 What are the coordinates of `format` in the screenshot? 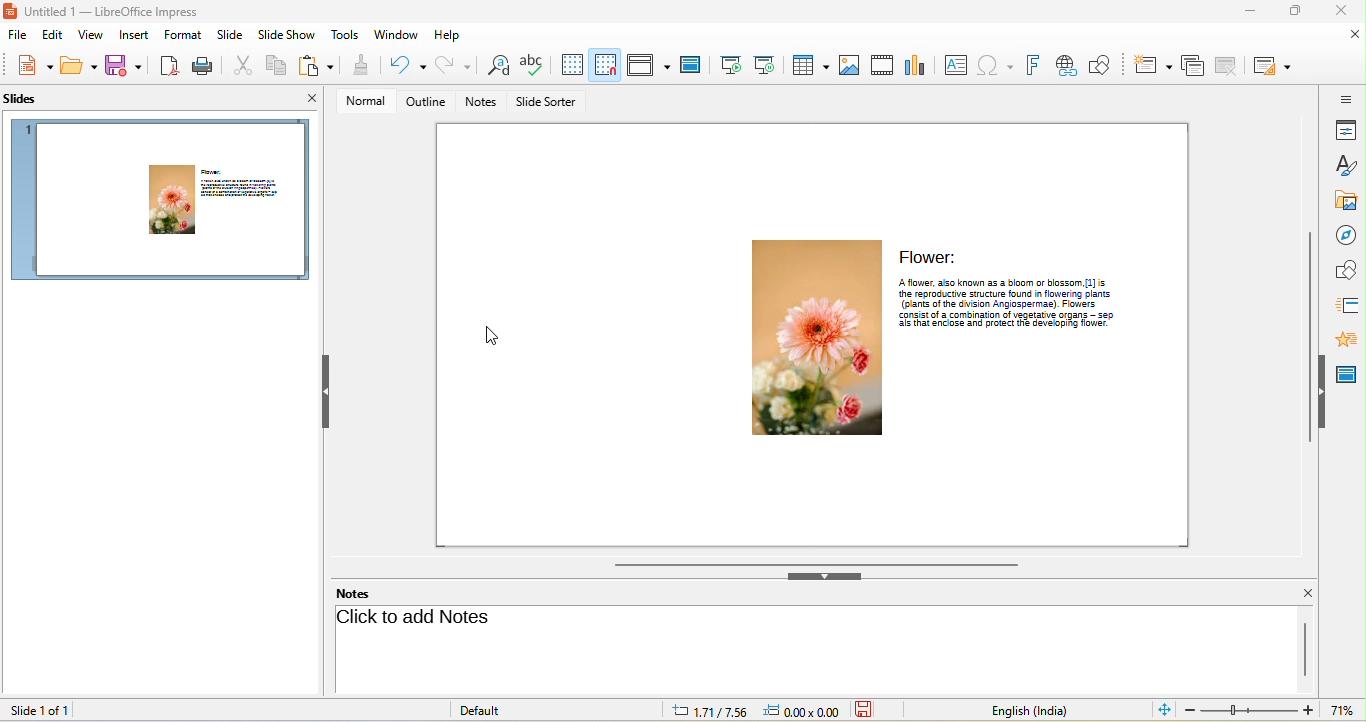 It's located at (185, 35).